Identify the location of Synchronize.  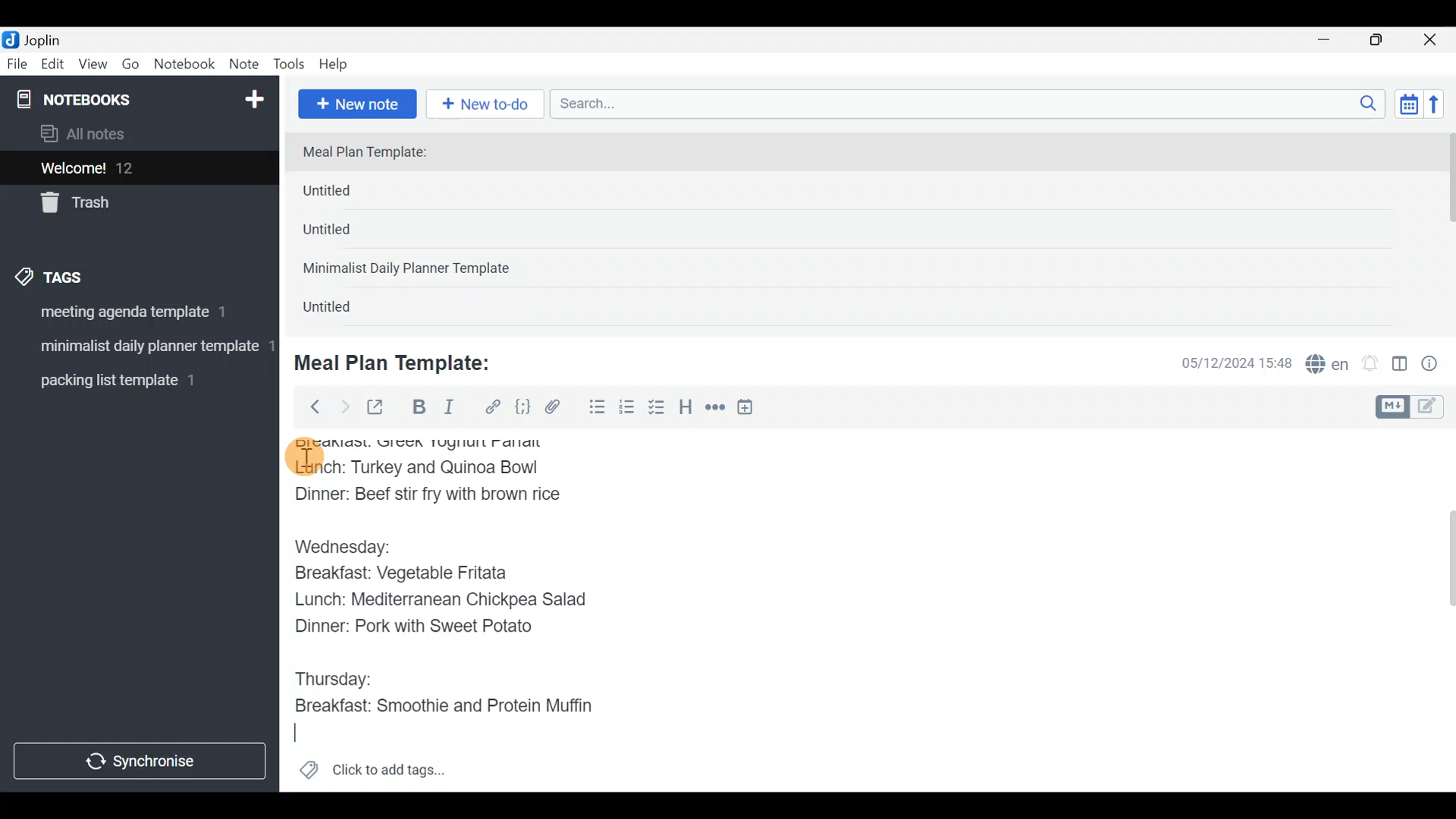
(142, 761).